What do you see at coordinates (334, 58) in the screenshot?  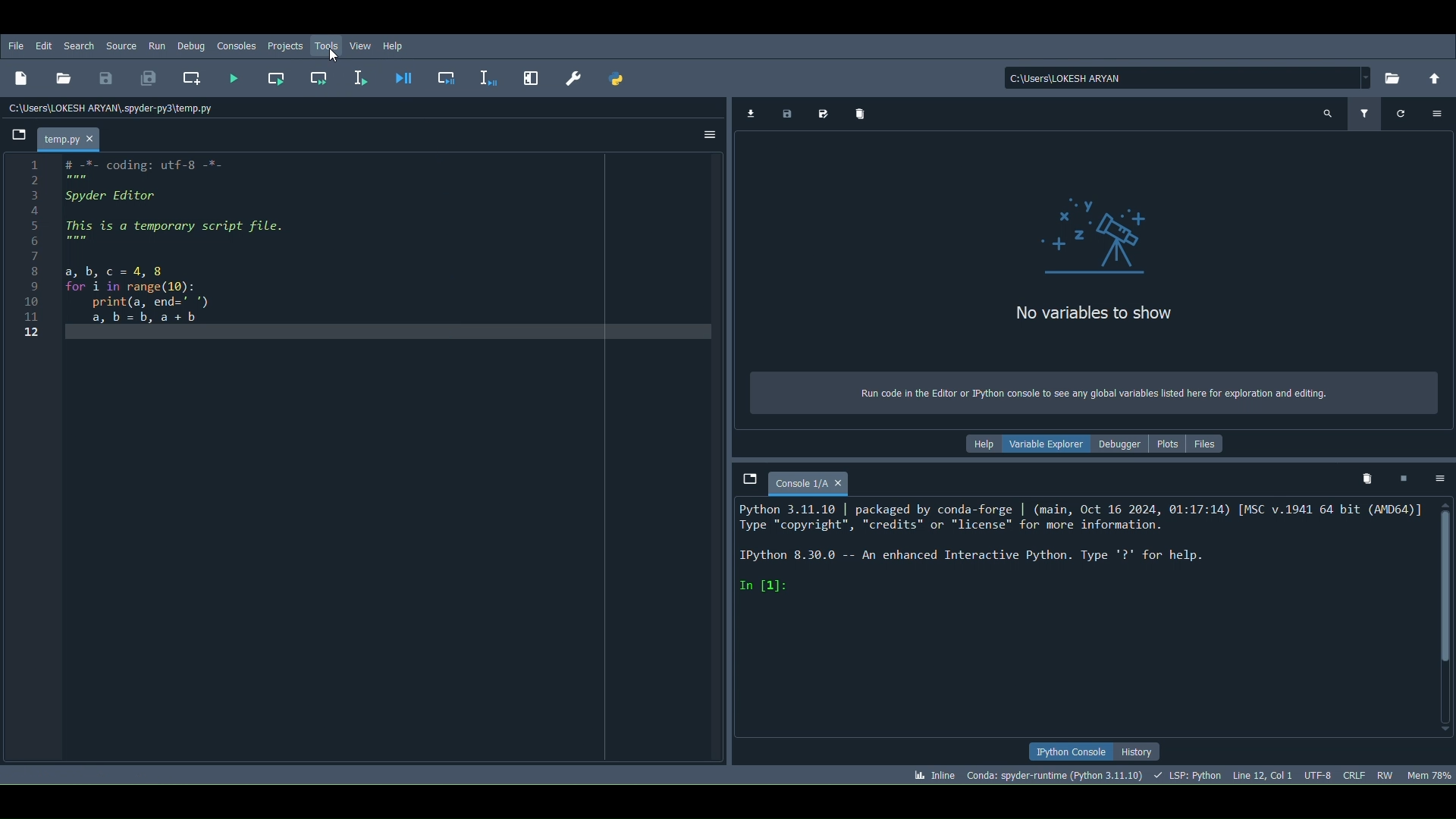 I see `Cursor` at bounding box center [334, 58].